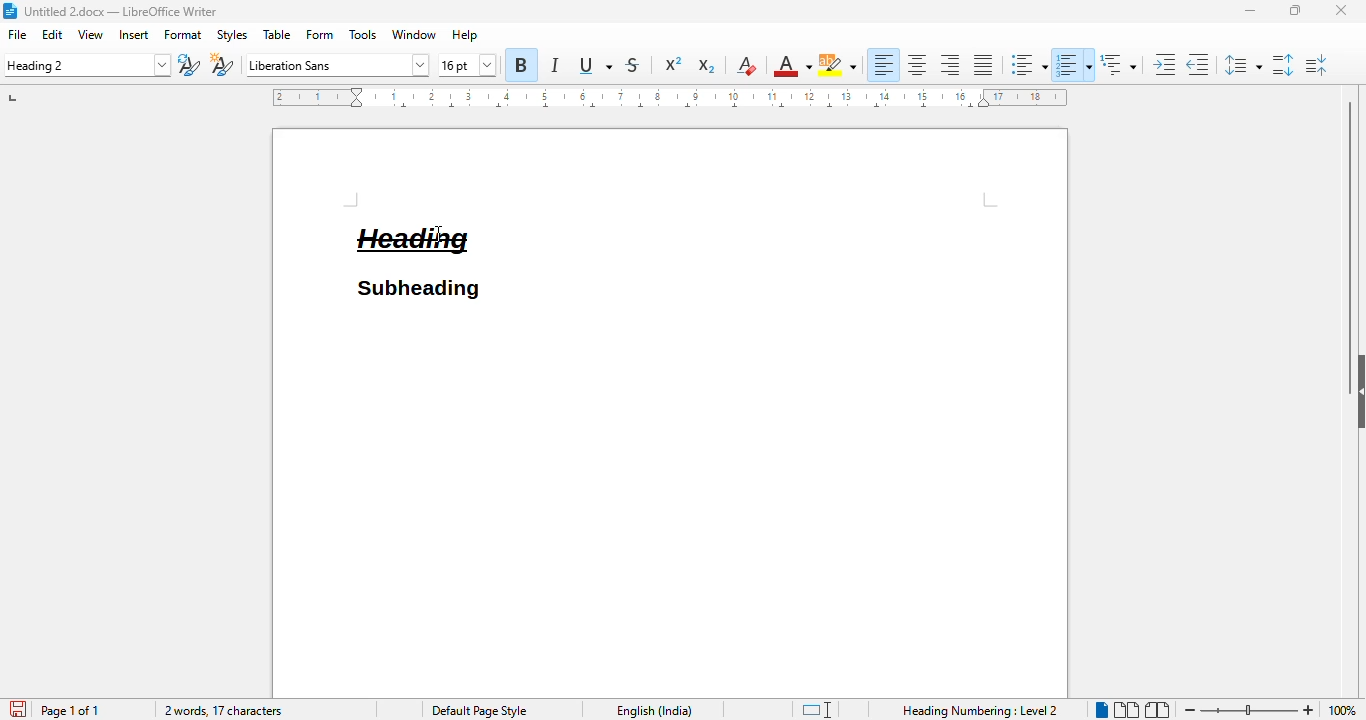 The width and height of the screenshot is (1366, 720). What do you see at coordinates (183, 35) in the screenshot?
I see `format` at bounding box center [183, 35].